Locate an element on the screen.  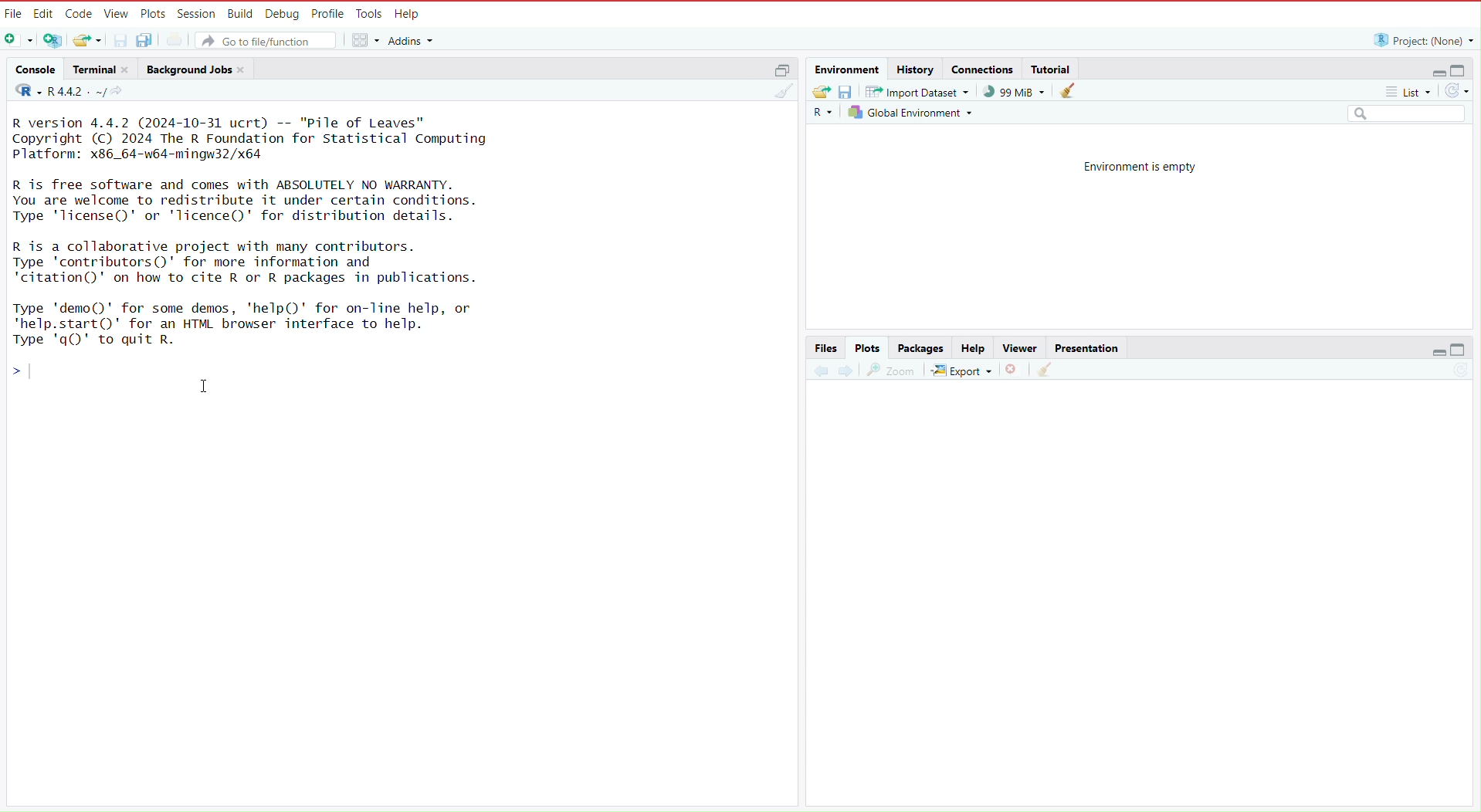
R 4.4.2 . ~/ is located at coordinates (77, 92).